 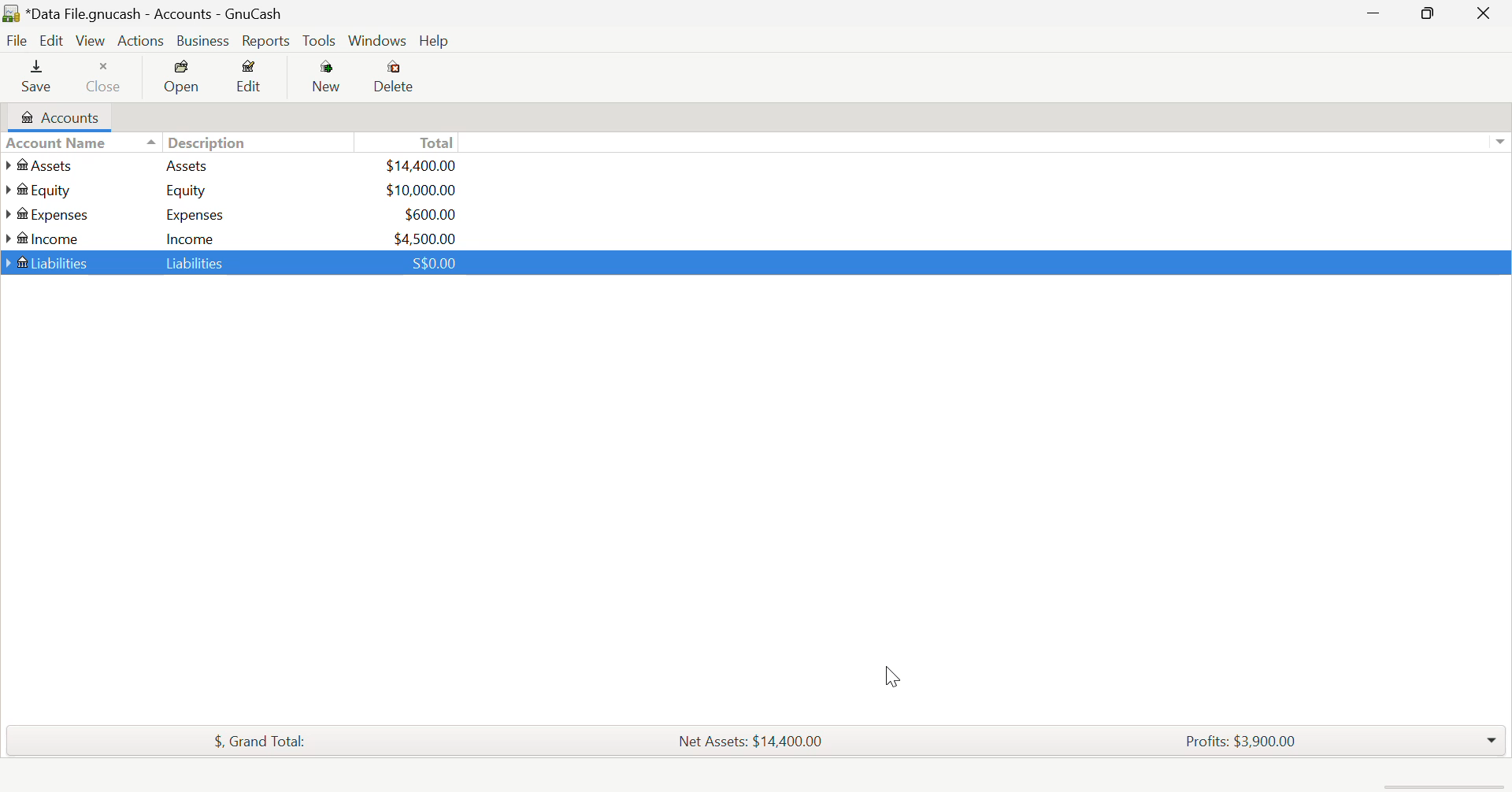 I want to click on Minimize, so click(x=1430, y=15).